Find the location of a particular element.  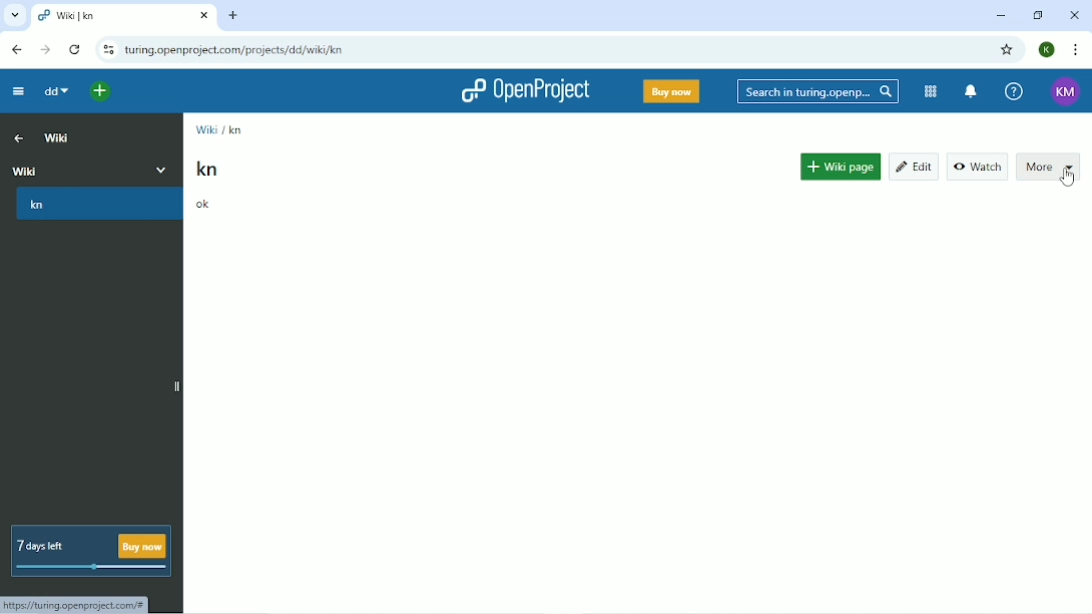

kn is located at coordinates (208, 169).